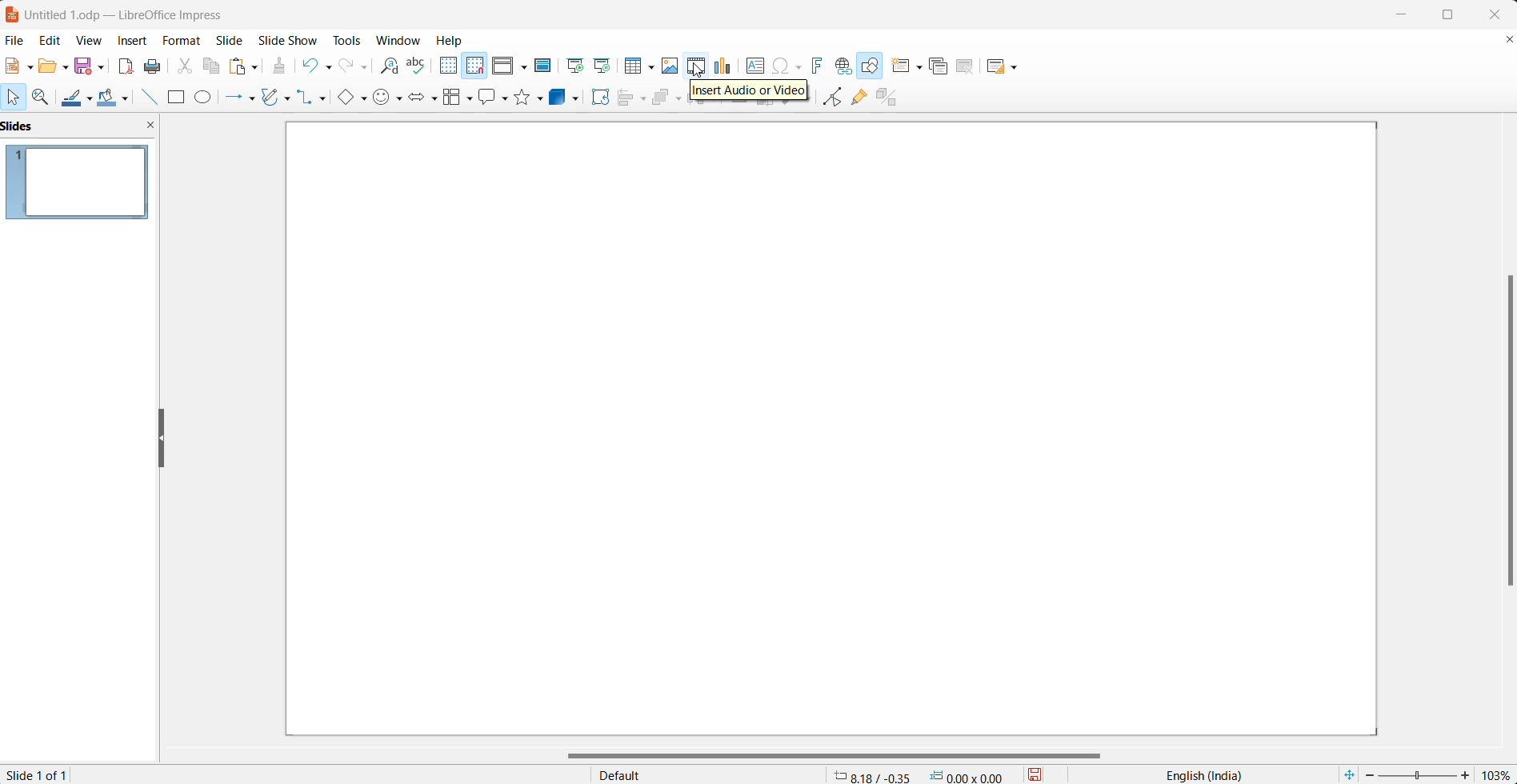 This screenshot has height=784, width=1517. I want to click on clone formatting, so click(281, 66).